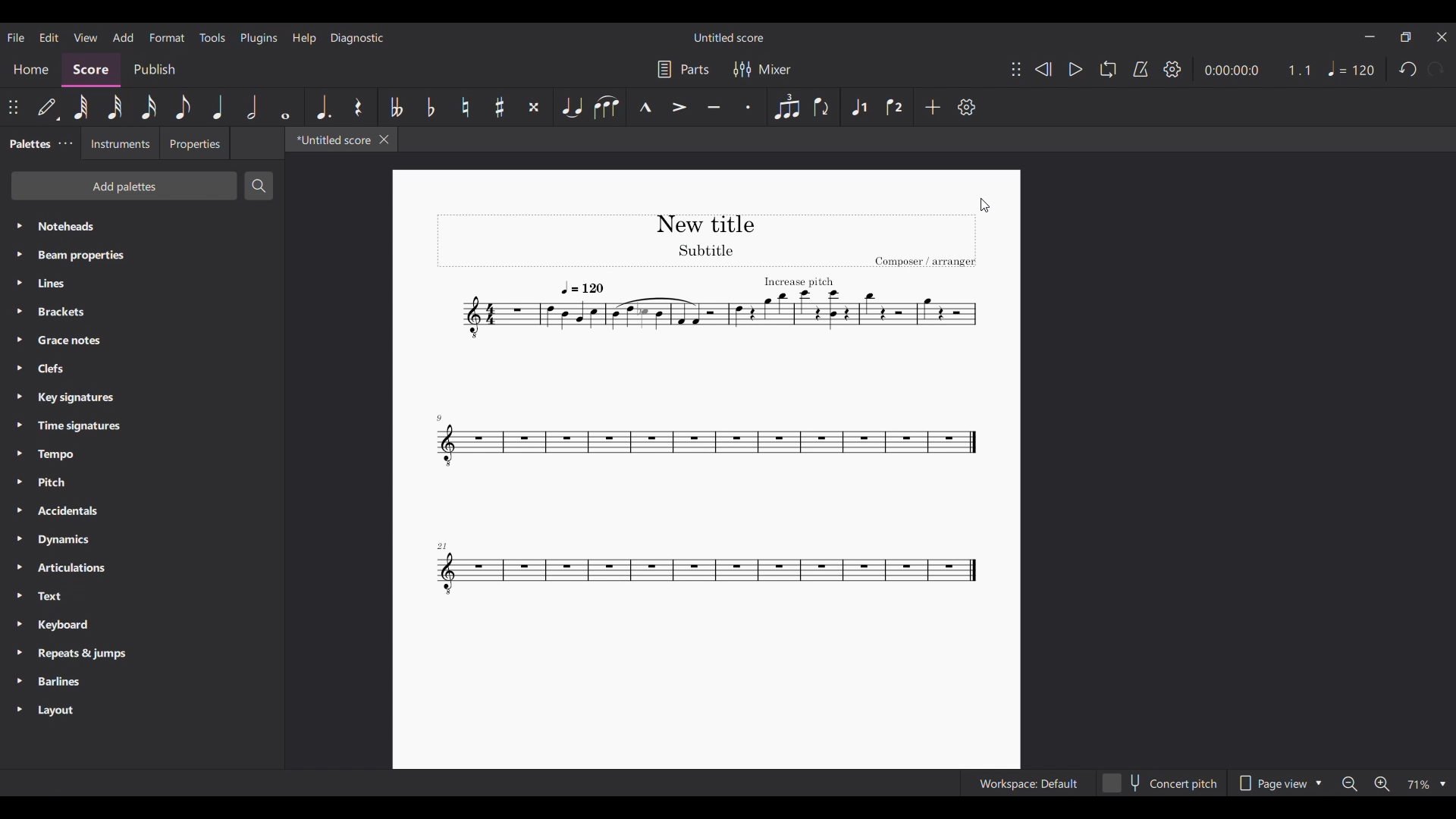  I want to click on Accent, so click(679, 107).